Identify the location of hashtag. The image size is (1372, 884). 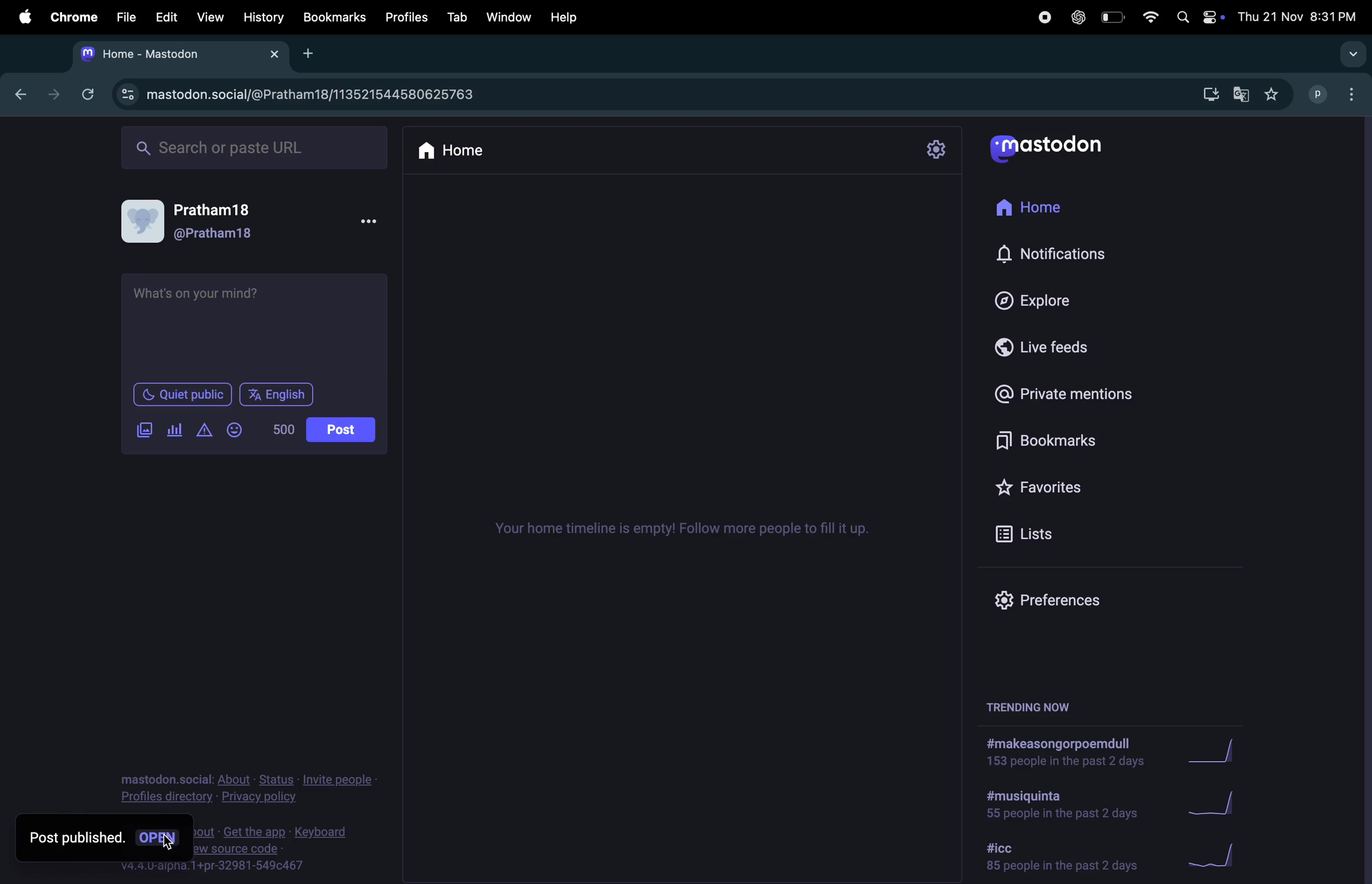
(1063, 750).